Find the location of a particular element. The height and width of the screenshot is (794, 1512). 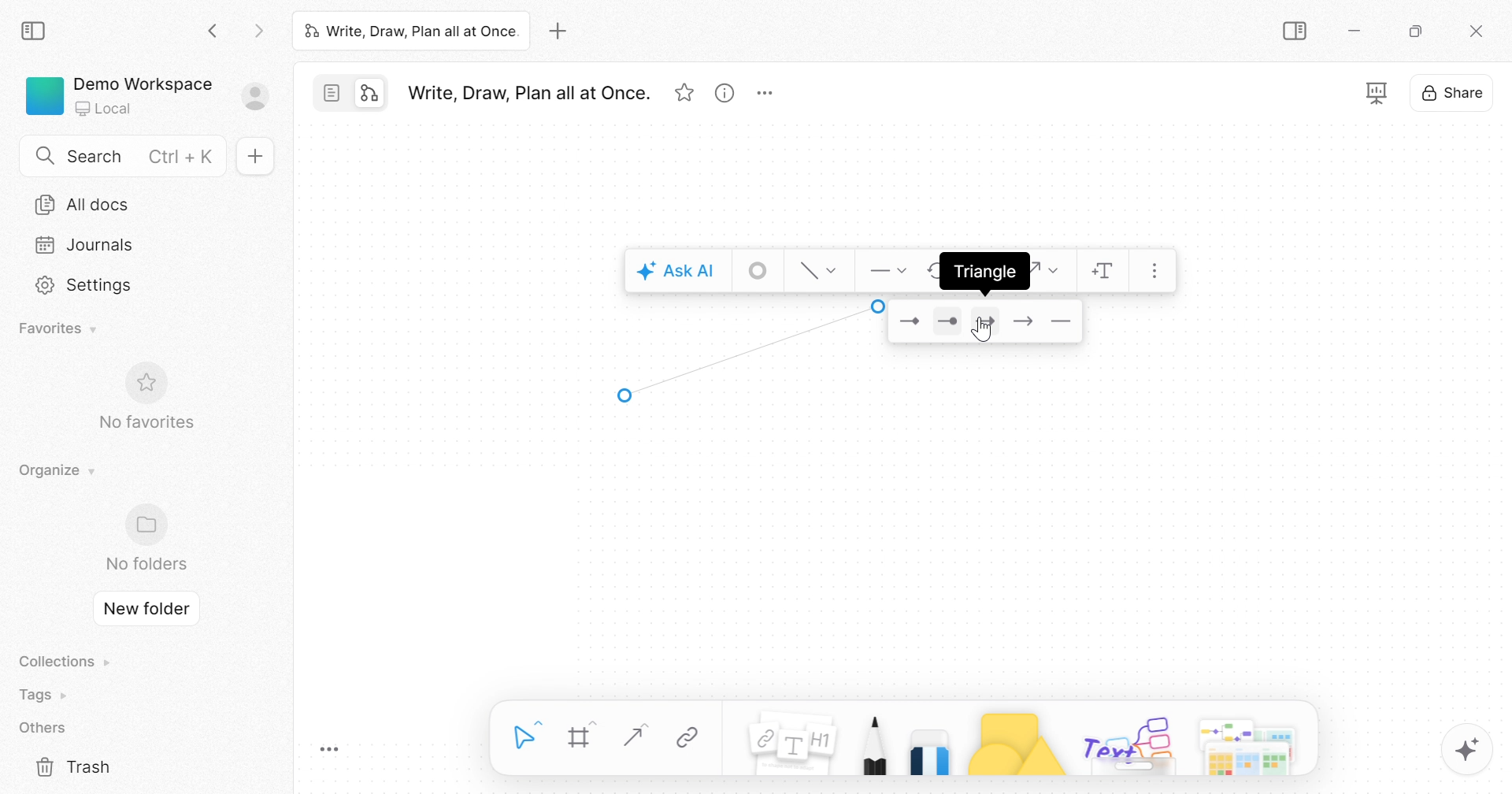

Search is located at coordinates (94, 156).